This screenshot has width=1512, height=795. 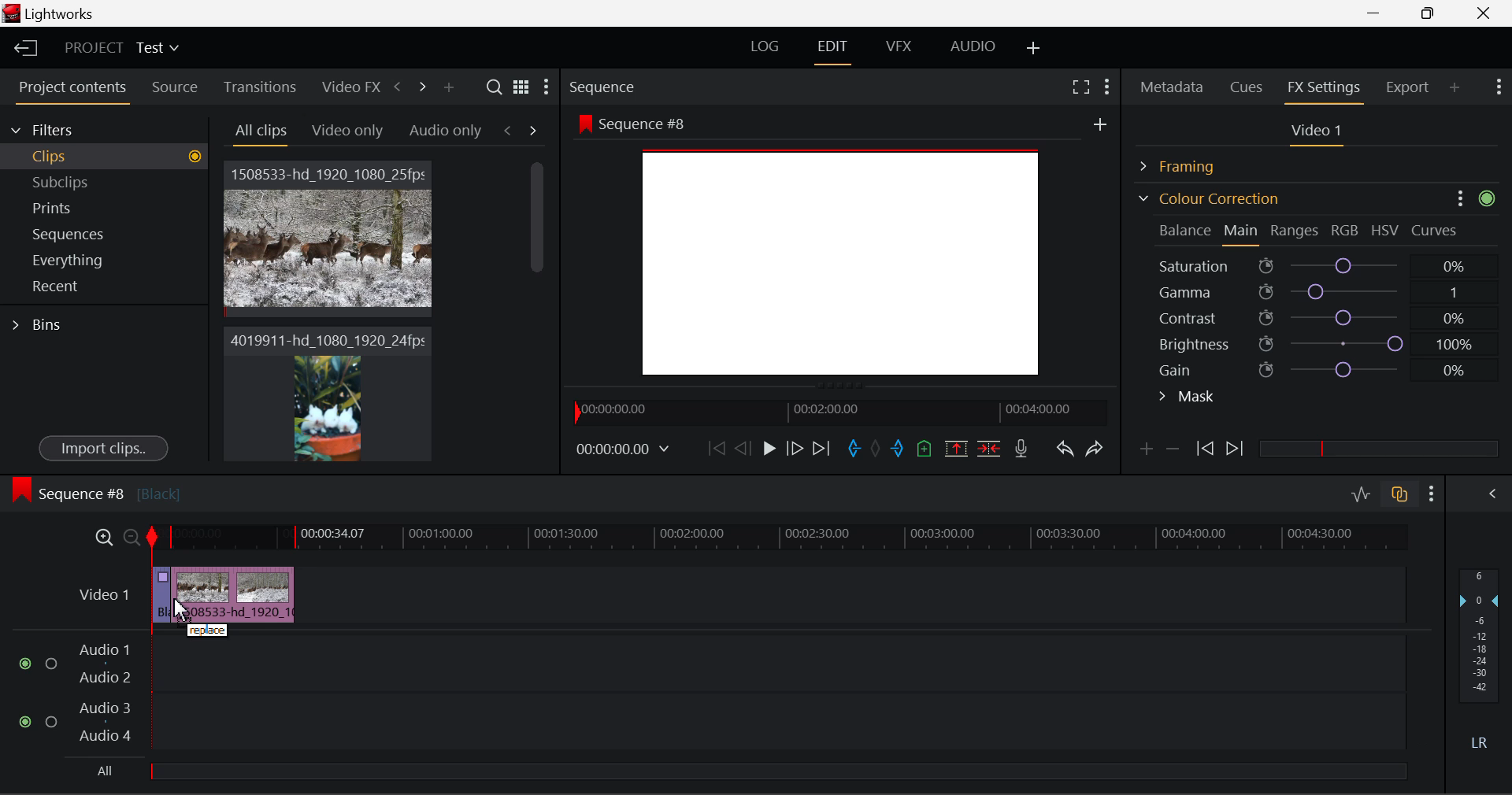 I want to click on Sequence Preview Section, so click(x=606, y=88).